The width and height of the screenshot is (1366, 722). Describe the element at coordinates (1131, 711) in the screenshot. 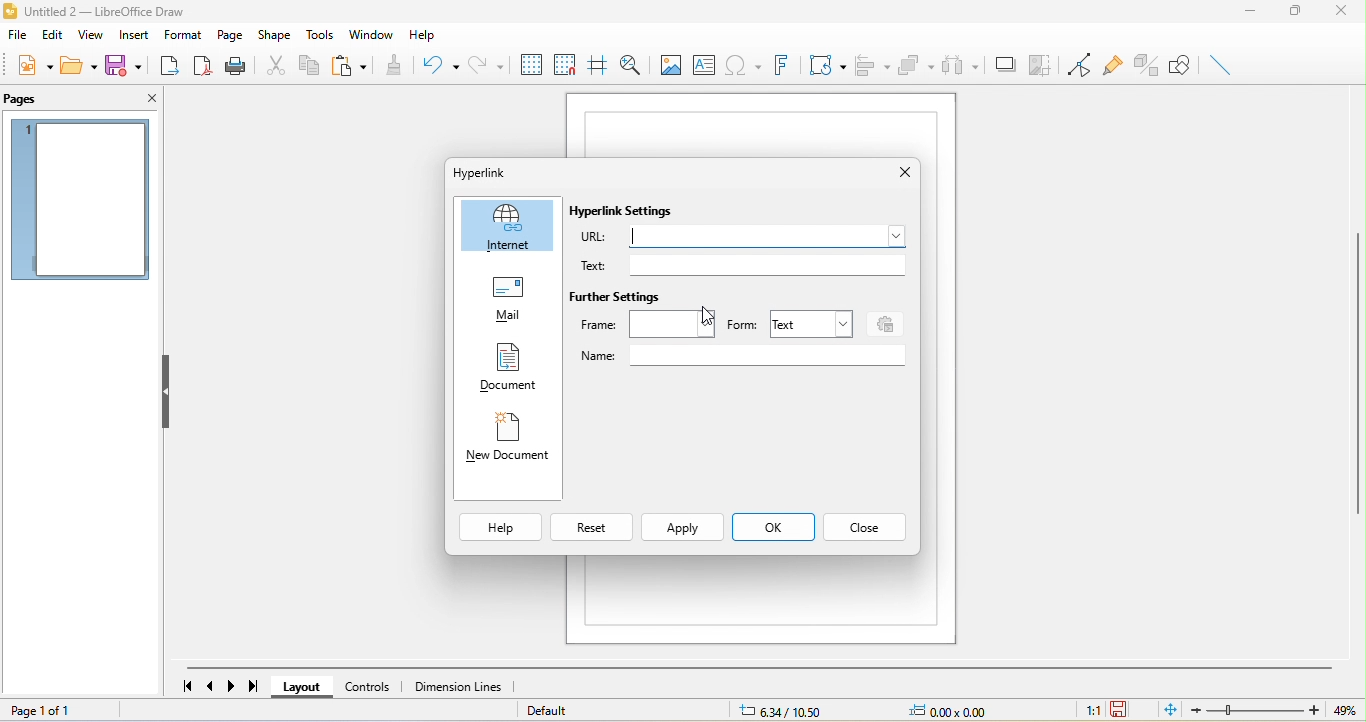

I see `the document has not been modified since the last save` at that location.